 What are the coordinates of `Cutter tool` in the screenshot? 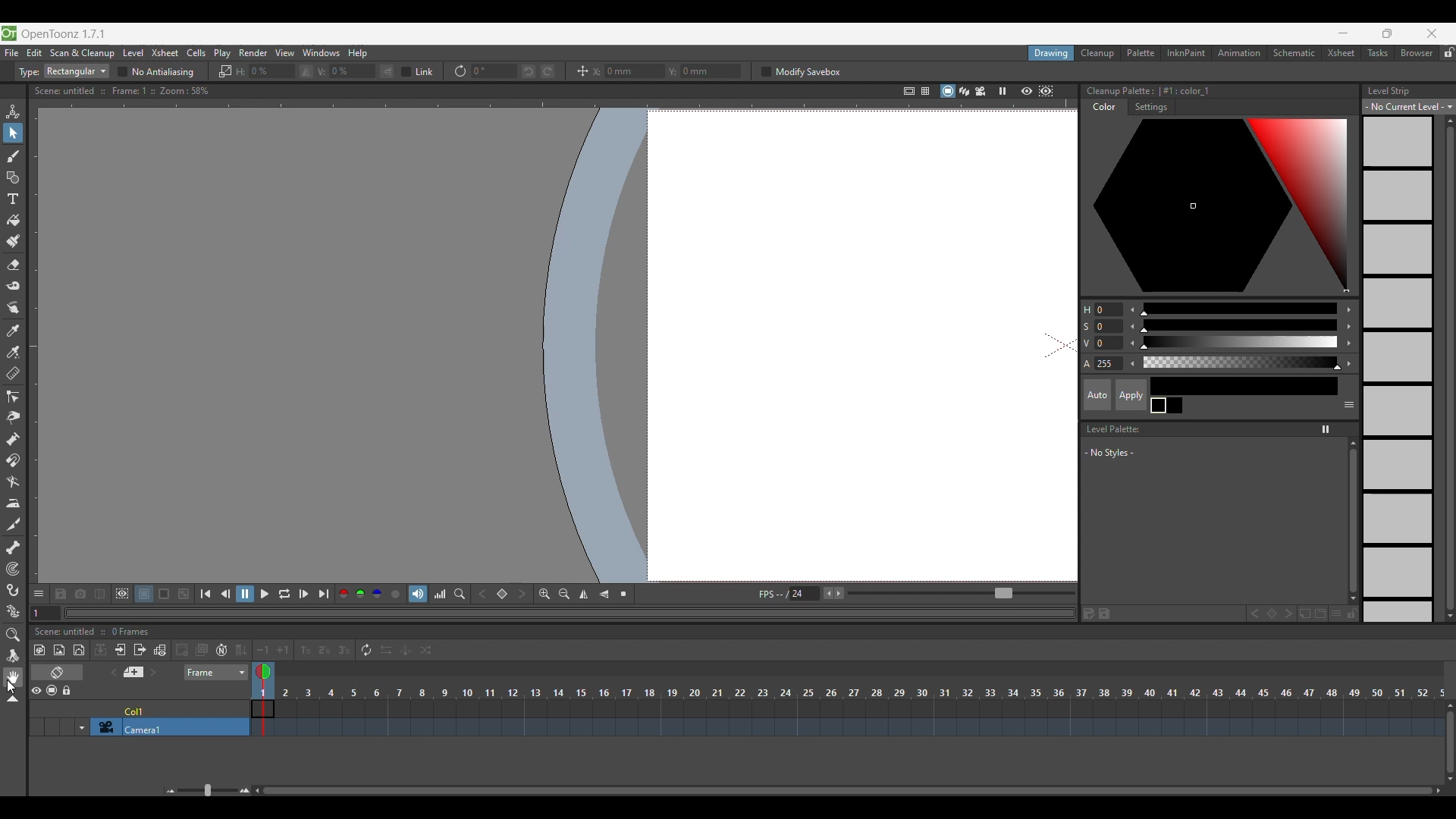 It's located at (13, 524).